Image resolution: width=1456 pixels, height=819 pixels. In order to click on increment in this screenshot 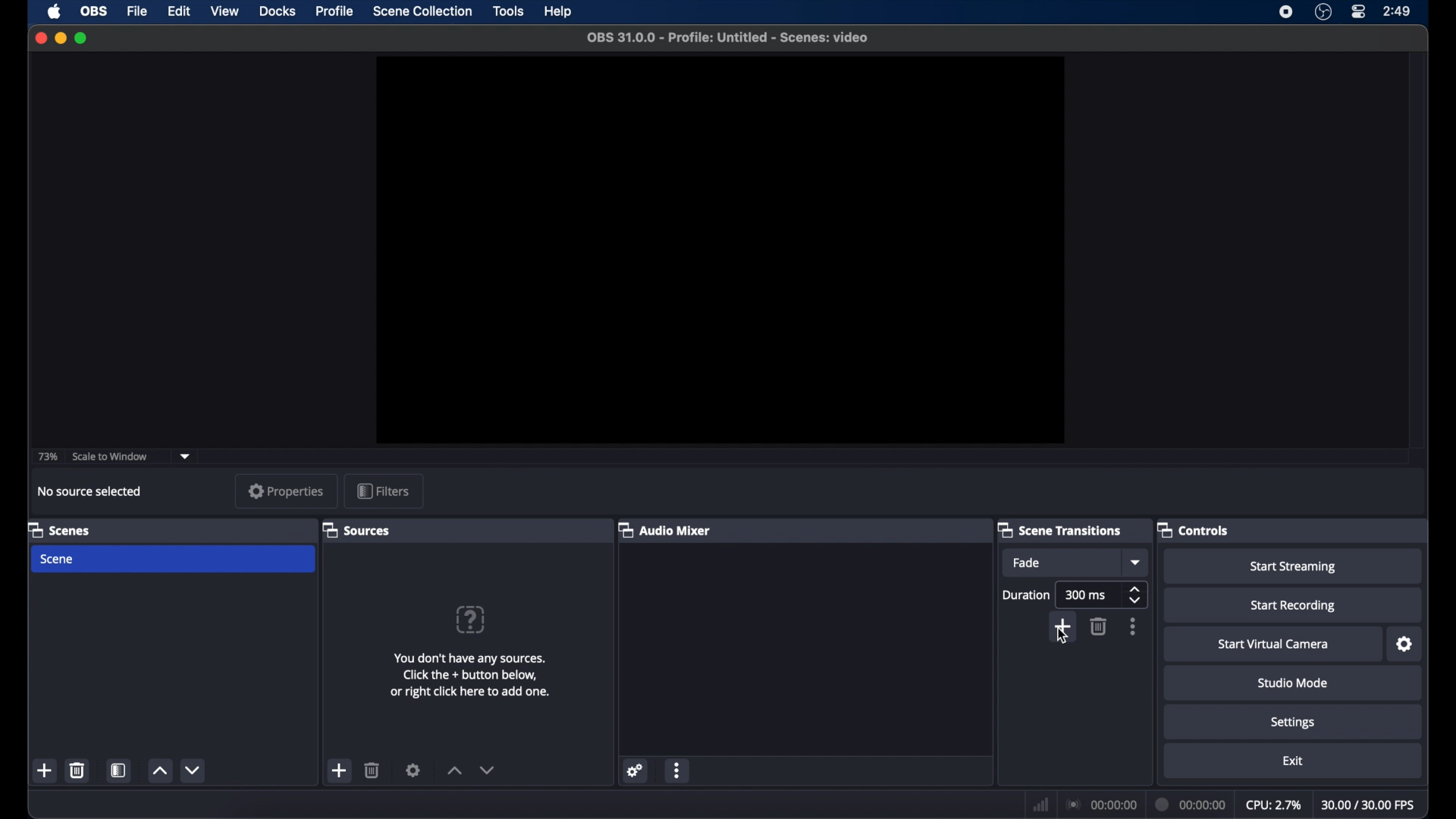, I will do `click(159, 771)`.